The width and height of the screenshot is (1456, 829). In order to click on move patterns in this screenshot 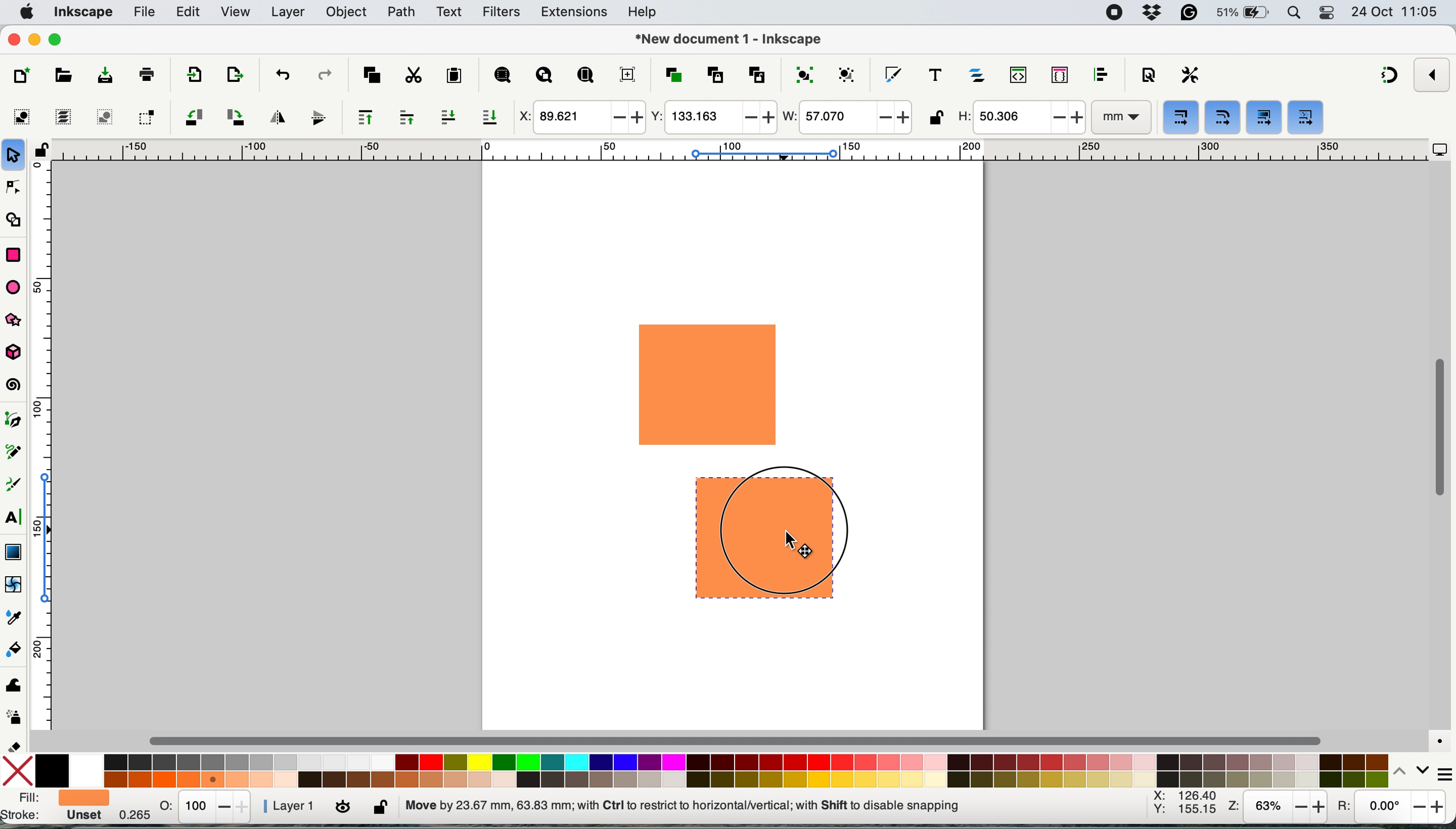, I will do `click(1305, 118)`.